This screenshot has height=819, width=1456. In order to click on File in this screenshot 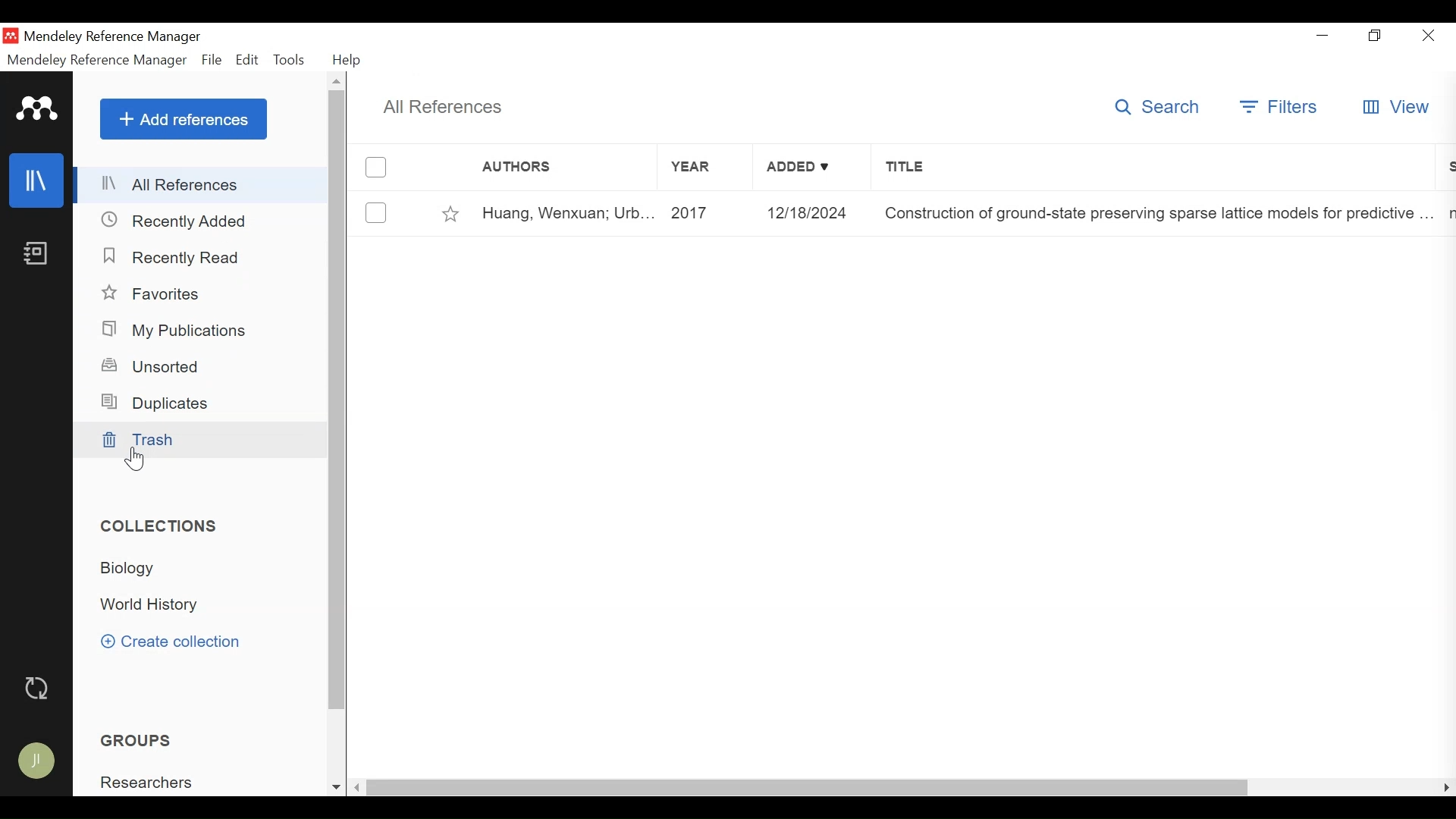, I will do `click(212, 60)`.